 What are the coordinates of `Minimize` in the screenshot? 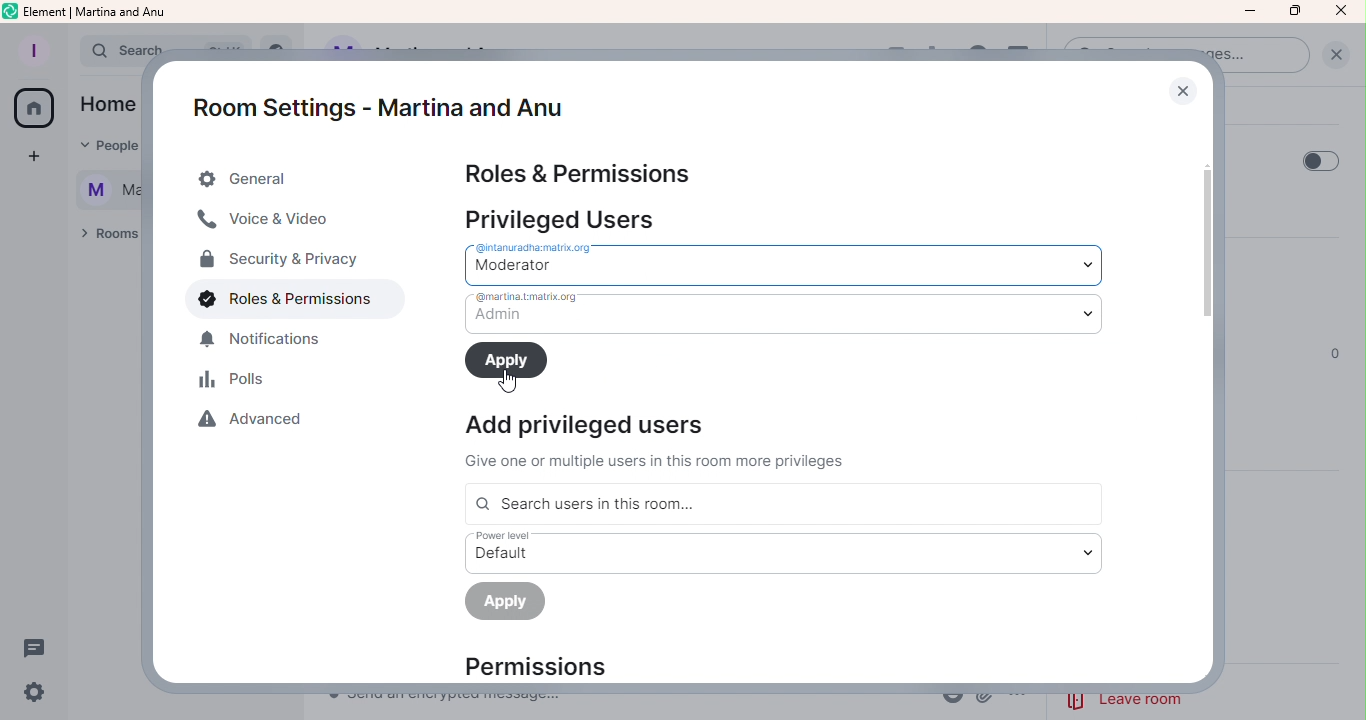 It's located at (1249, 11).